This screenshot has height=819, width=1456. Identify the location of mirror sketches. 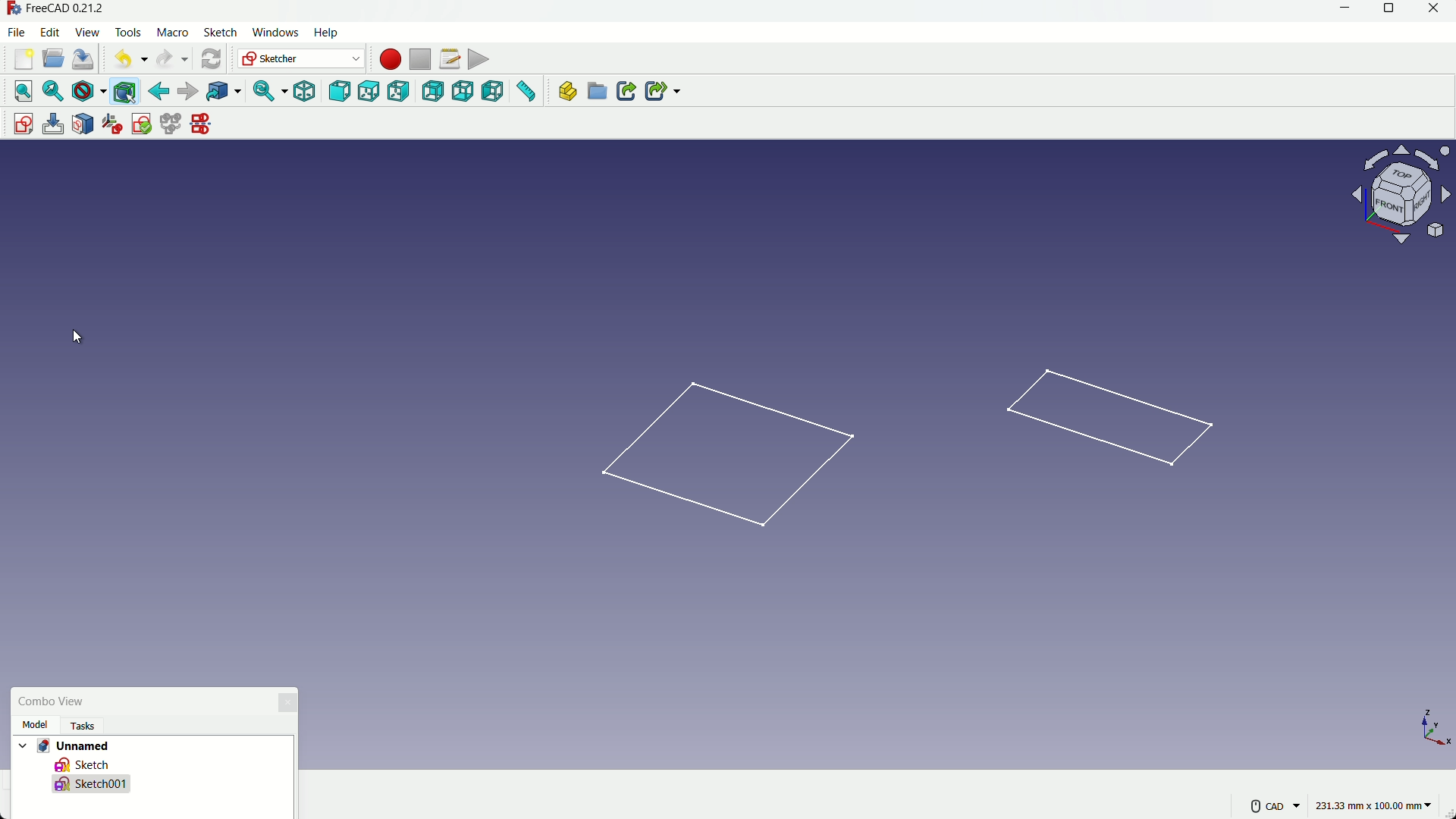
(198, 122).